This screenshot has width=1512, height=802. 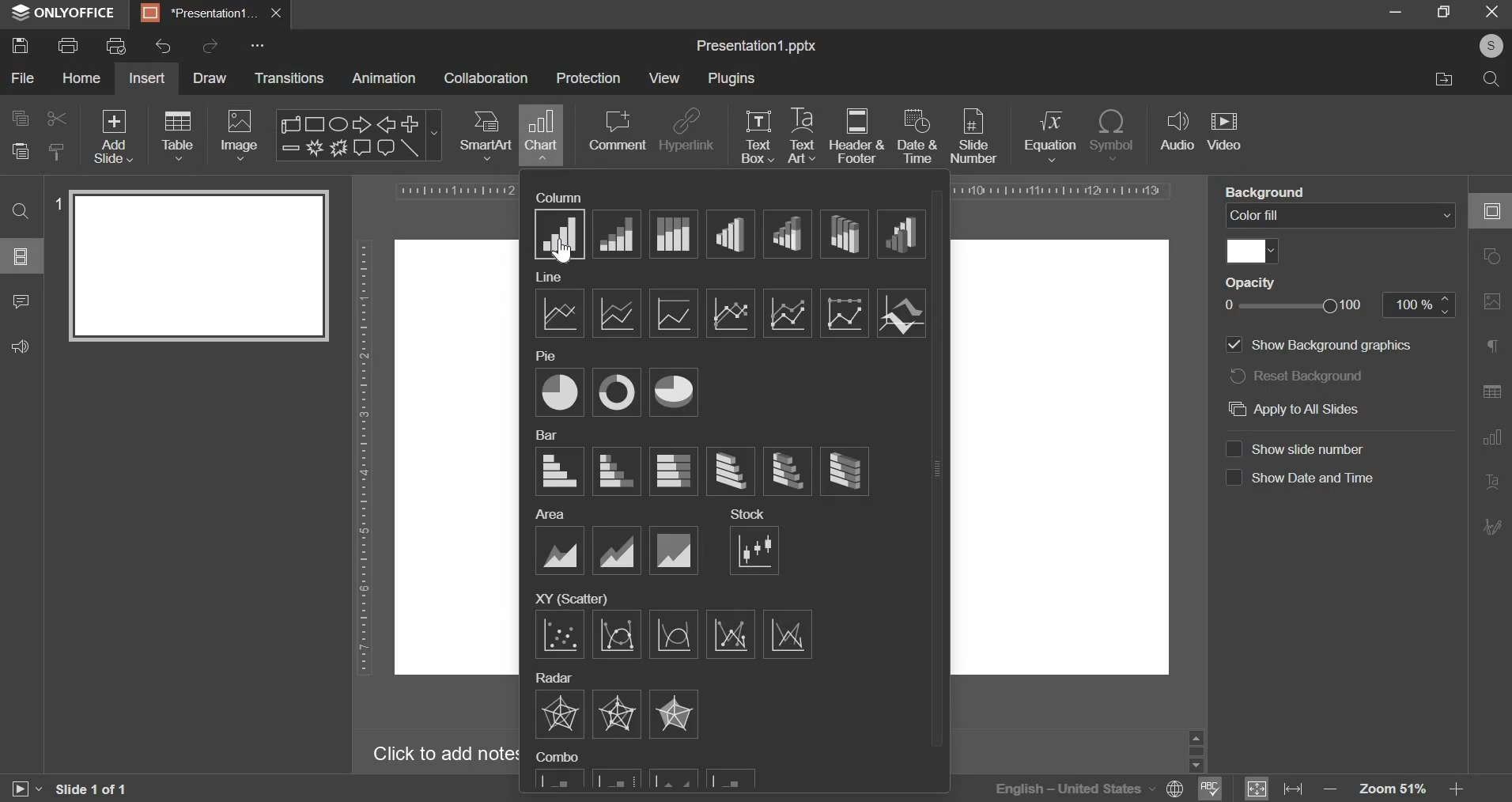 I want to click on protection, so click(x=589, y=78).